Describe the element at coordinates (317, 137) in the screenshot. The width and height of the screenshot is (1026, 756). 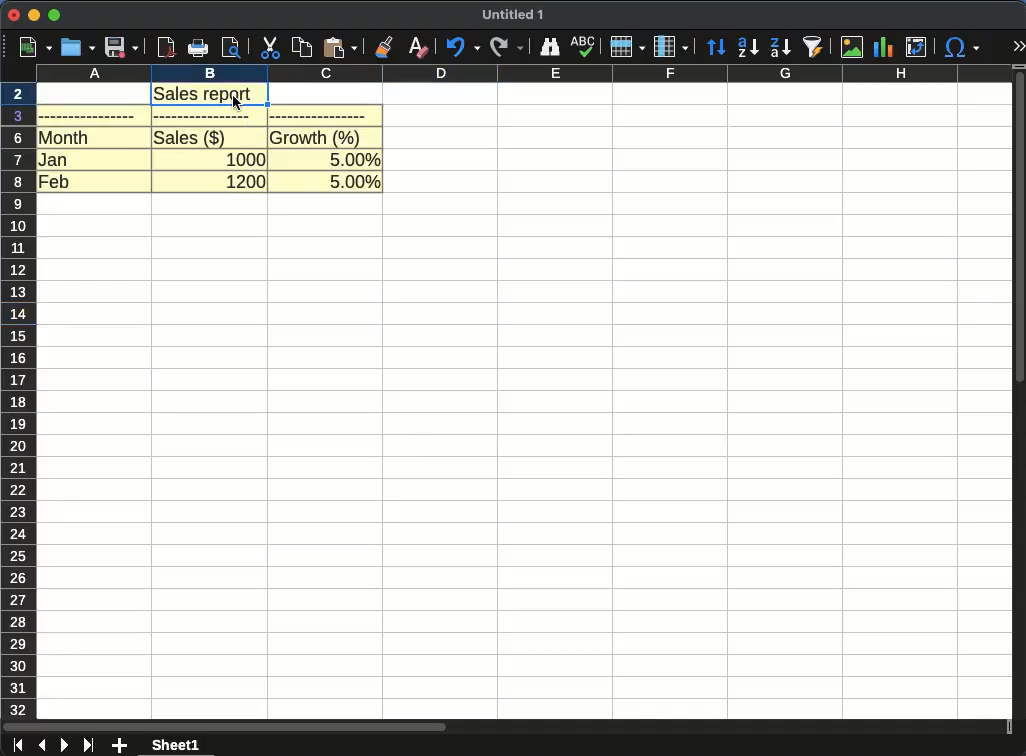
I see `growth (%)` at that location.